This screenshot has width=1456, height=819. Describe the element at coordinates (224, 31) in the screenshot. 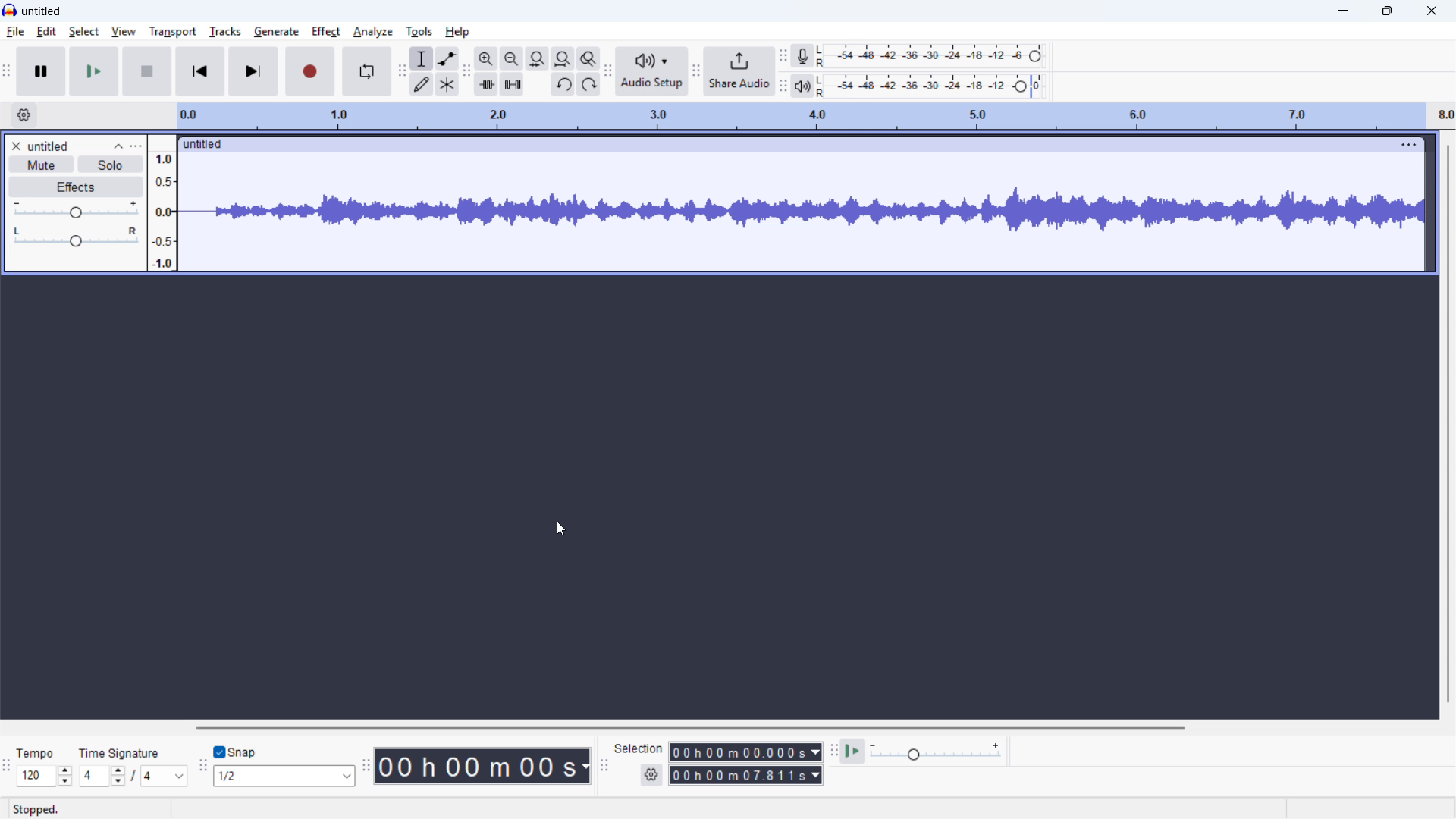

I see `tracks` at that location.